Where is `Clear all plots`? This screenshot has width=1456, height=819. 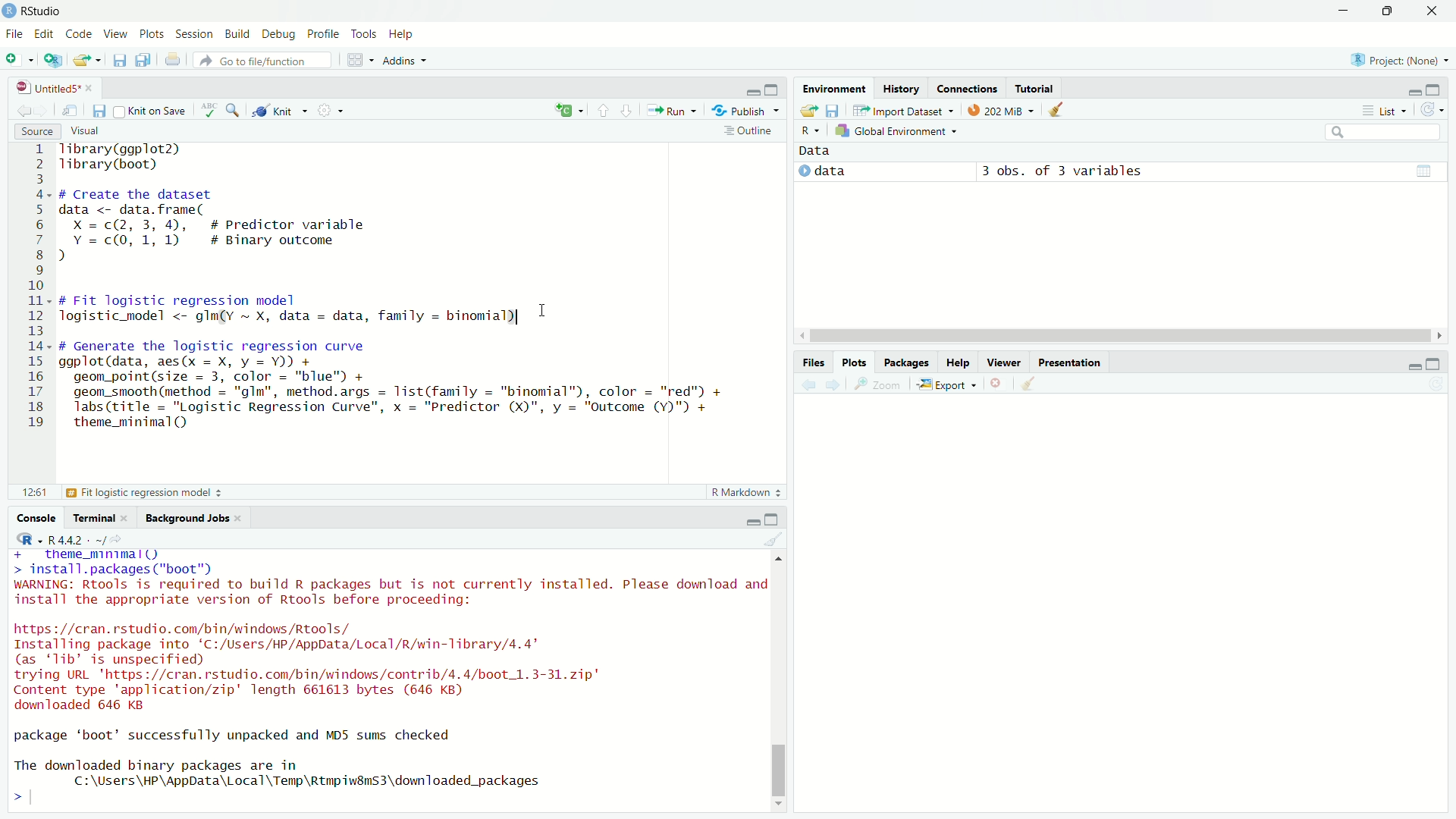
Clear all plots is located at coordinates (1030, 383).